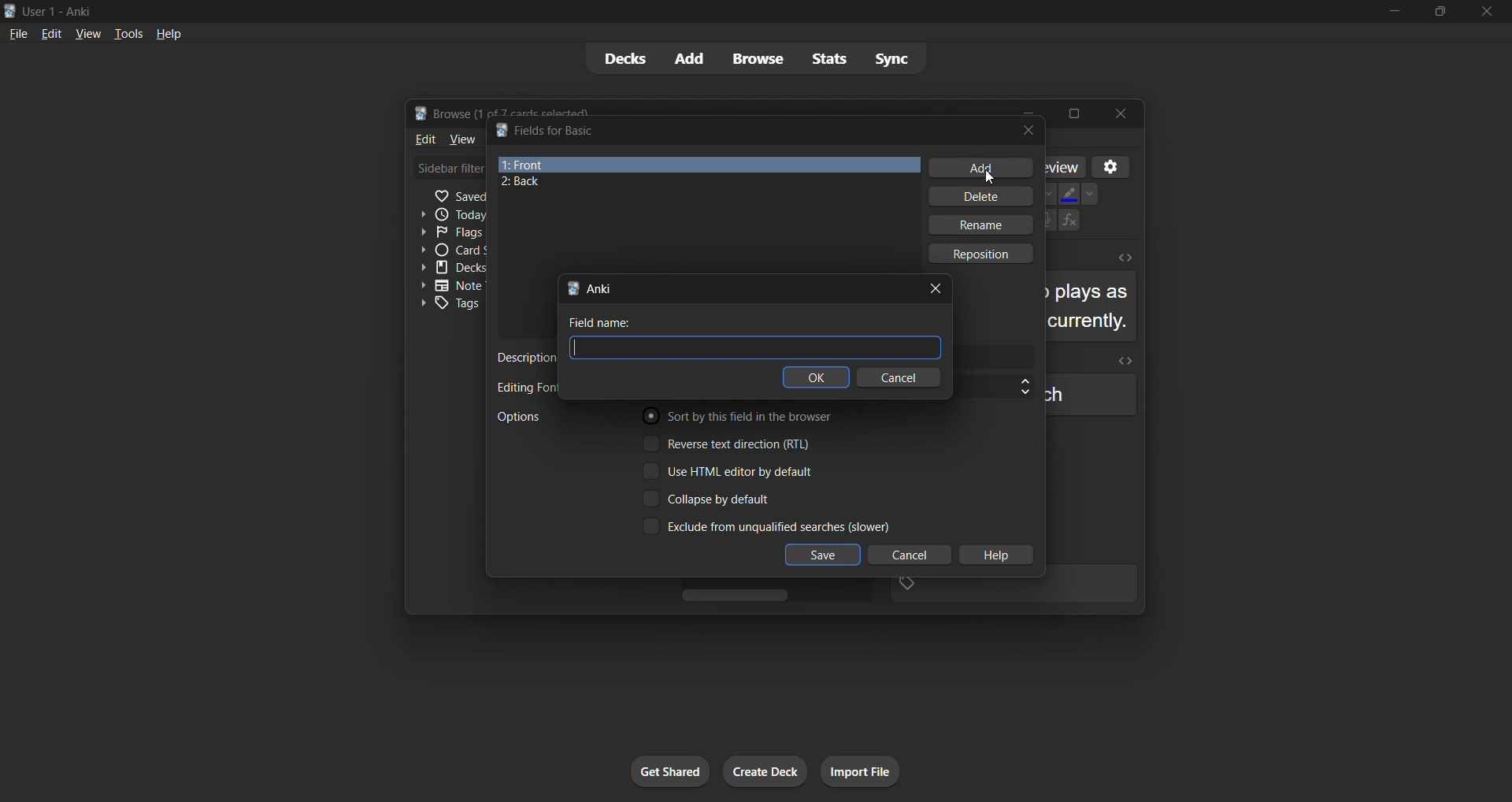  I want to click on close, so click(939, 287).